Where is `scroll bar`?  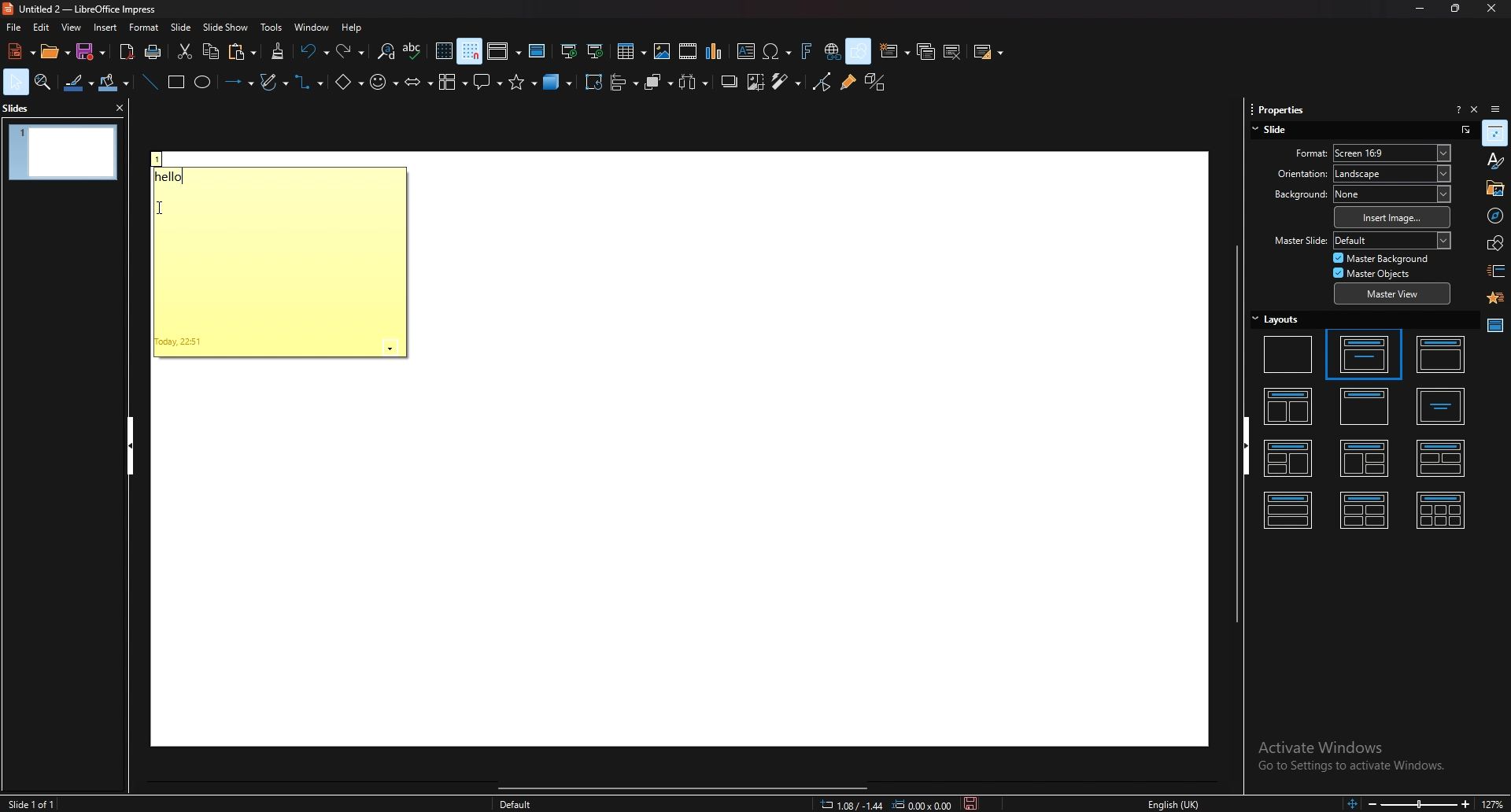 scroll bar is located at coordinates (1236, 432).